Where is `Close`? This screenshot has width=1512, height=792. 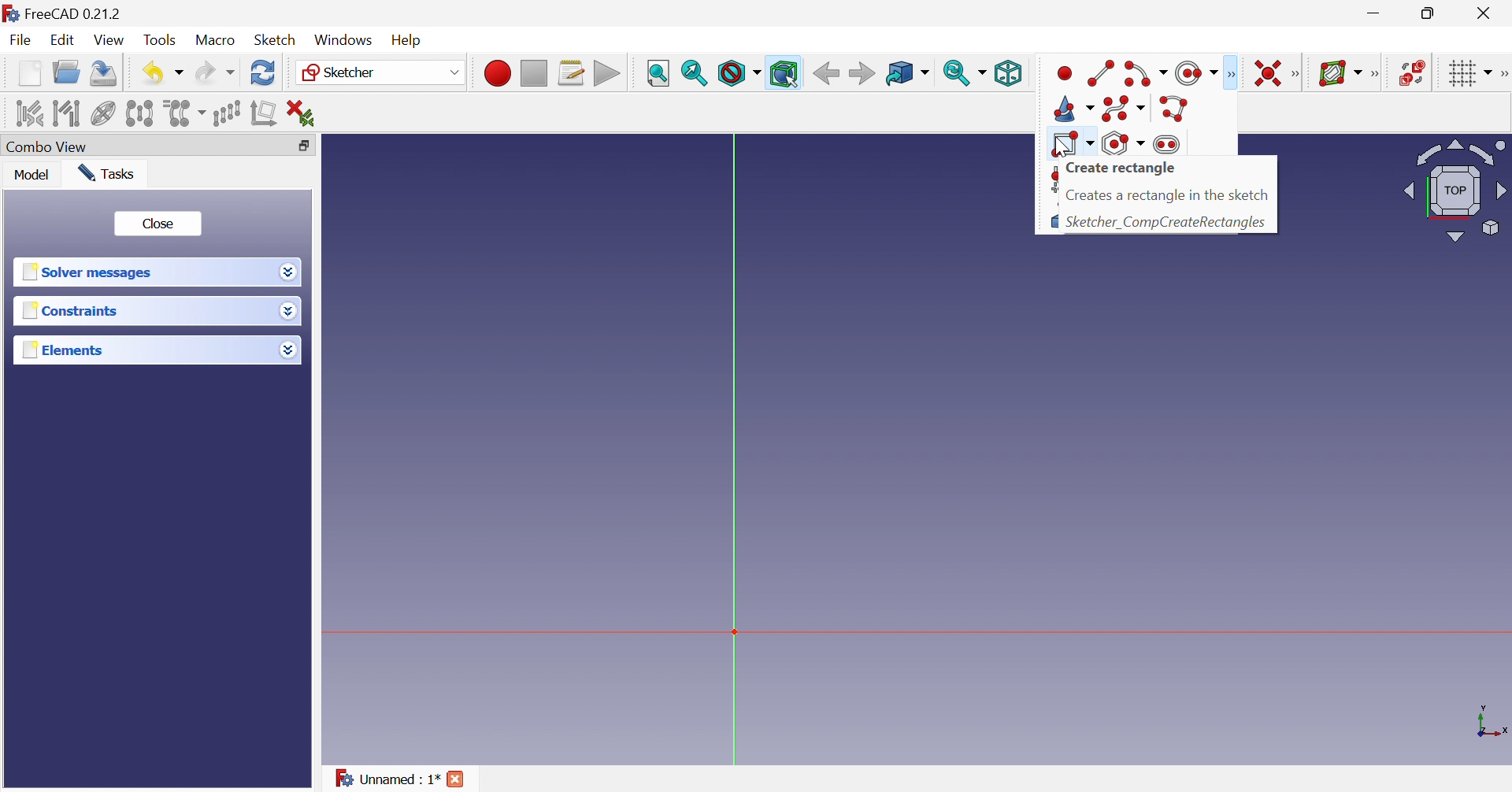
Close is located at coordinates (1484, 13).